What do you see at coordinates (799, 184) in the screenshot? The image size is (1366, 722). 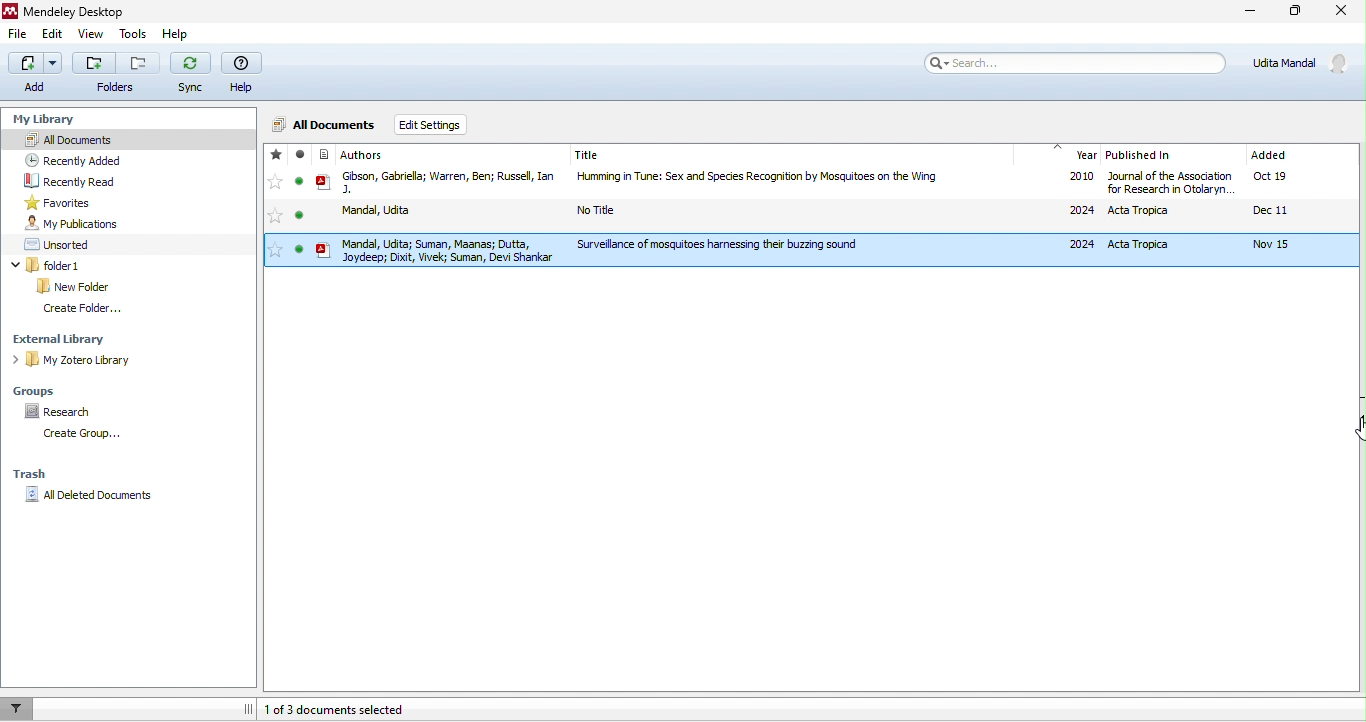 I see `y, Gbson, Gabriella; Warren, Ben; Russel, Ian Humming in Tune: Sex and Species Recognition by Mosquitoes on the Wing 2010 Journal of the Assocation Oct 19
Jy [rab rw——` at bounding box center [799, 184].